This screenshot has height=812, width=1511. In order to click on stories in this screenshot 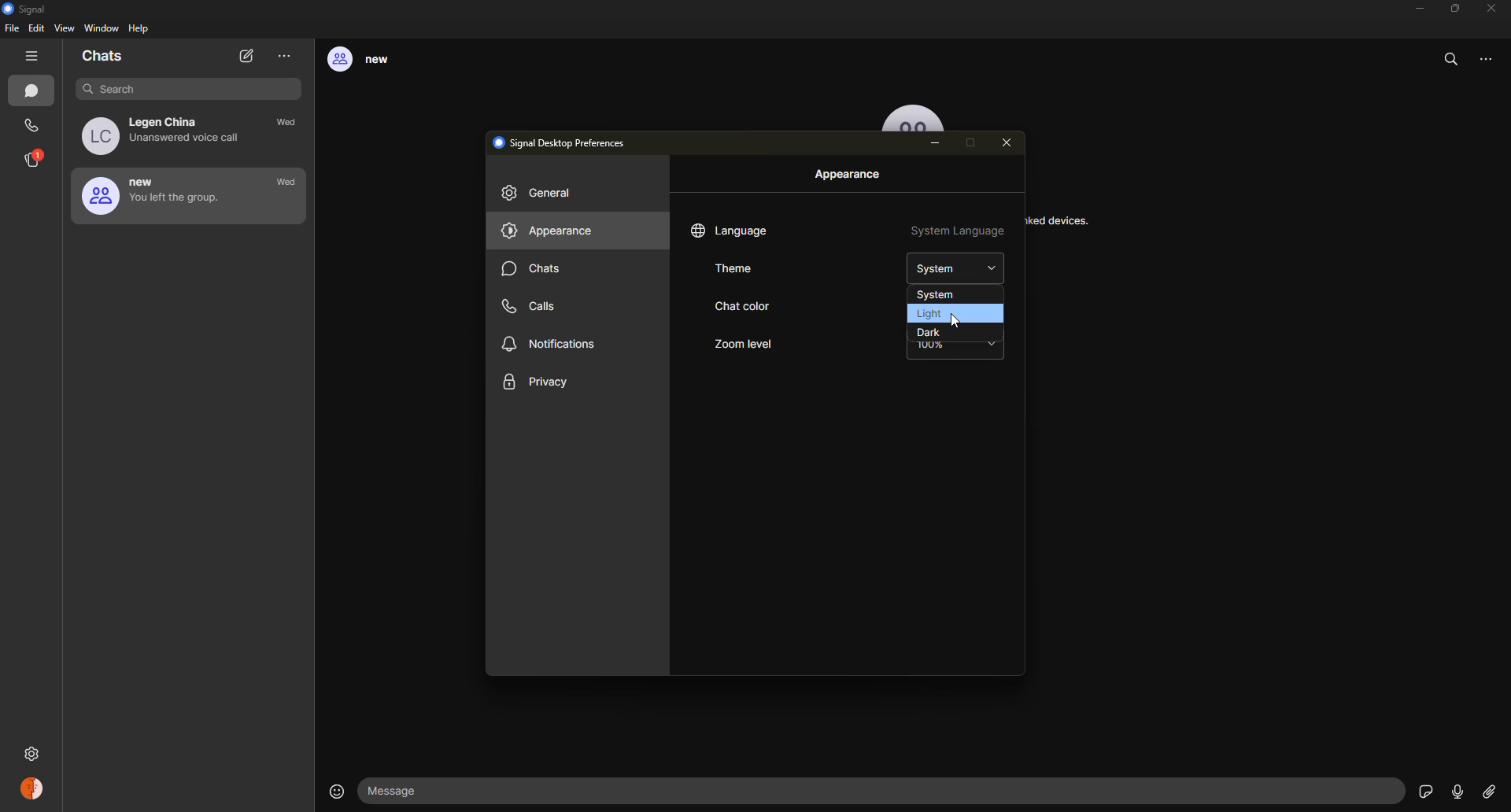, I will do `click(35, 159)`.